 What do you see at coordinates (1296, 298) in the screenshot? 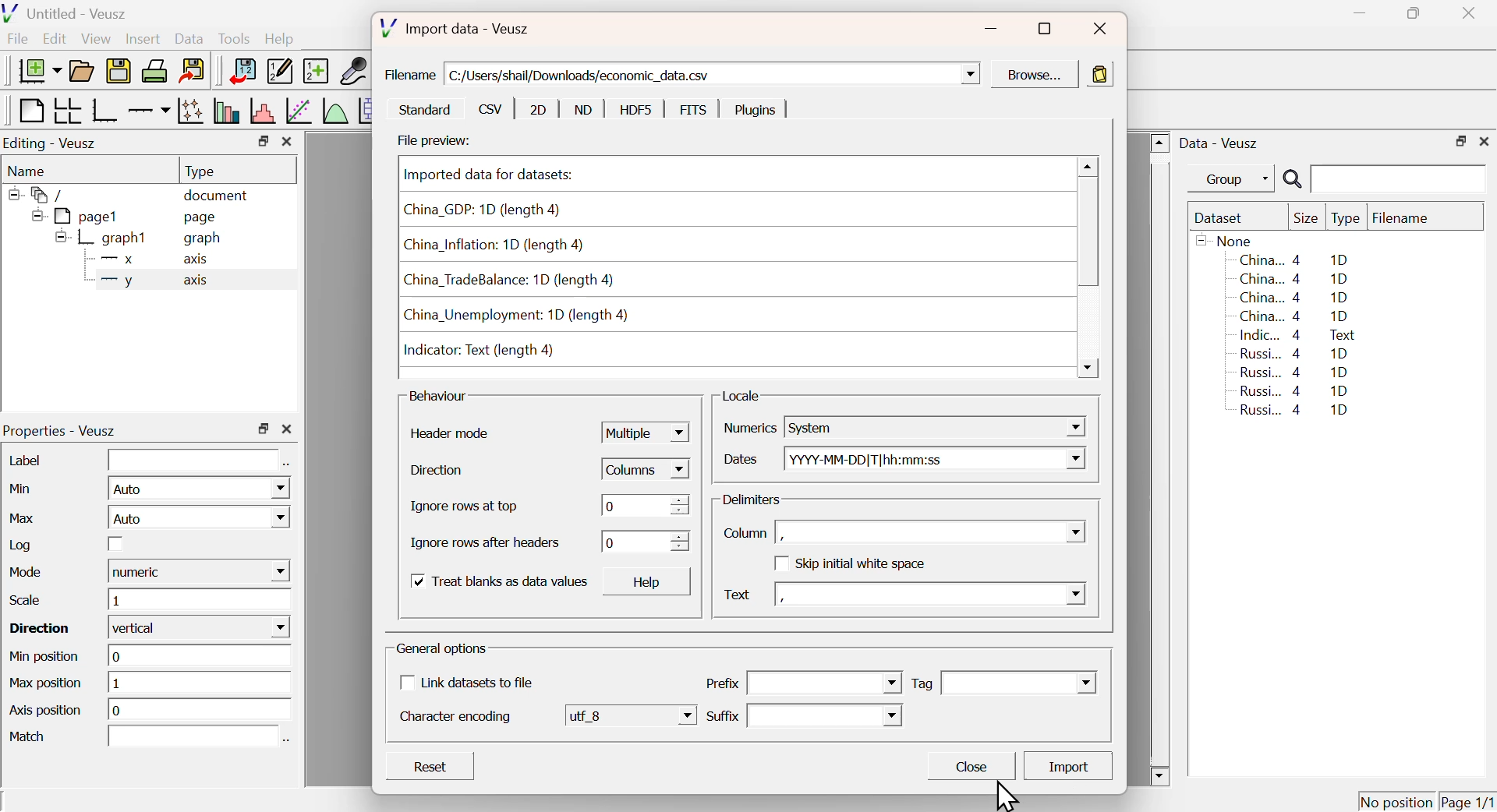
I see `China... 4 1D` at bounding box center [1296, 298].